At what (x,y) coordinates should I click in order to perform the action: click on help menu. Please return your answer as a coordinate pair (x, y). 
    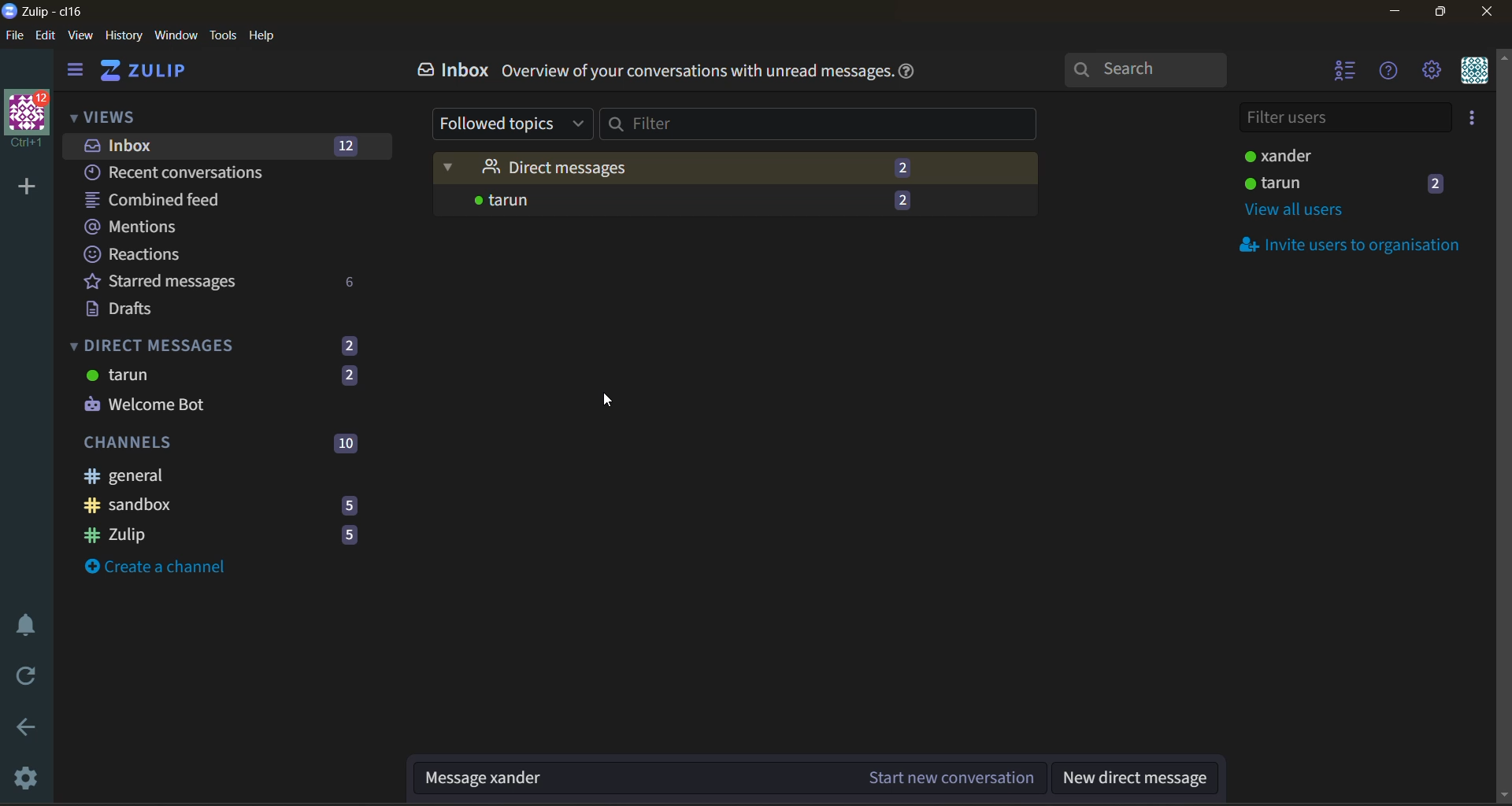
    Looking at the image, I should click on (1392, 70).